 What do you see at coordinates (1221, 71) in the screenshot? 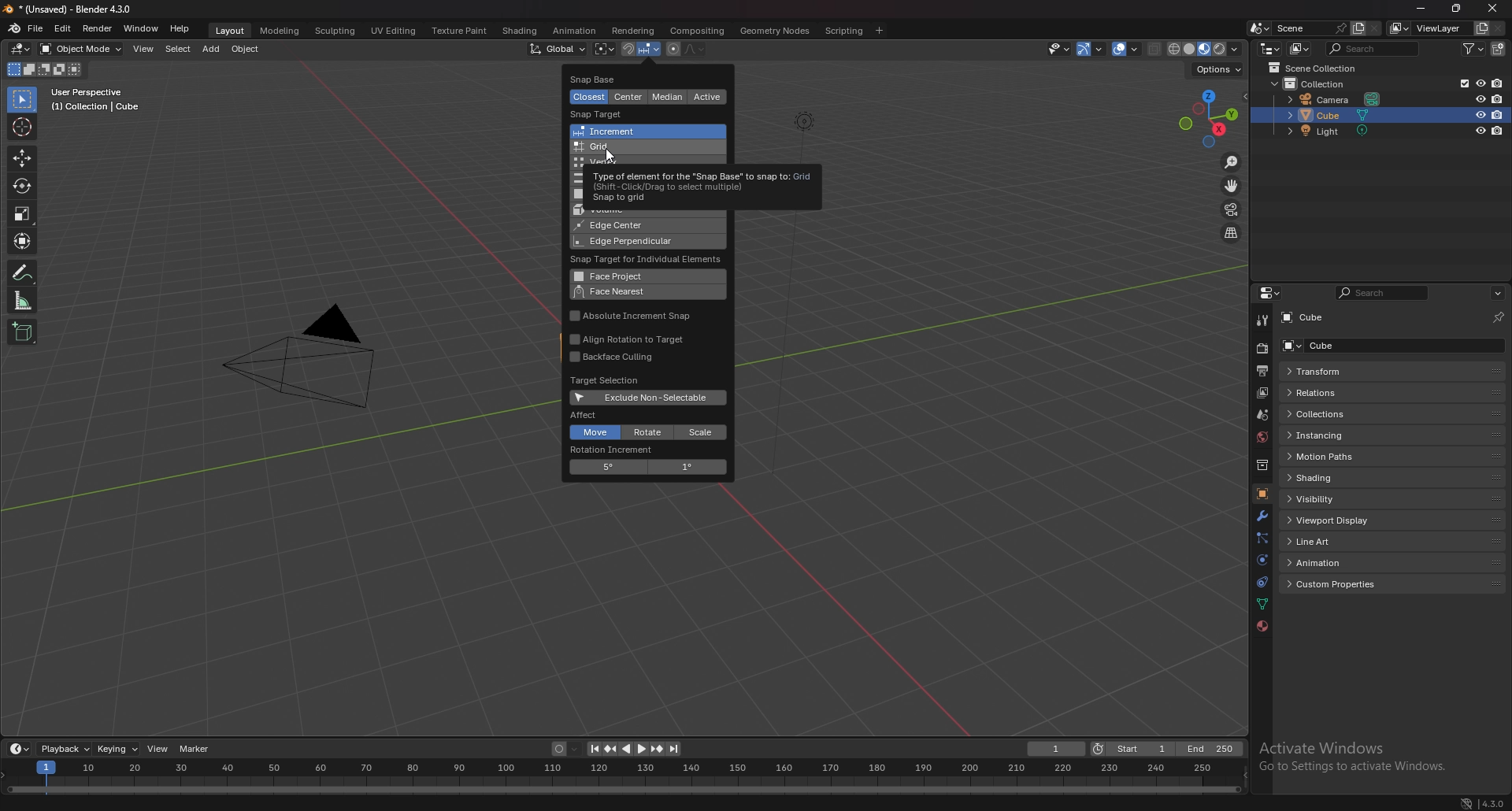
I see `options` at bounding box center [1221, 71].